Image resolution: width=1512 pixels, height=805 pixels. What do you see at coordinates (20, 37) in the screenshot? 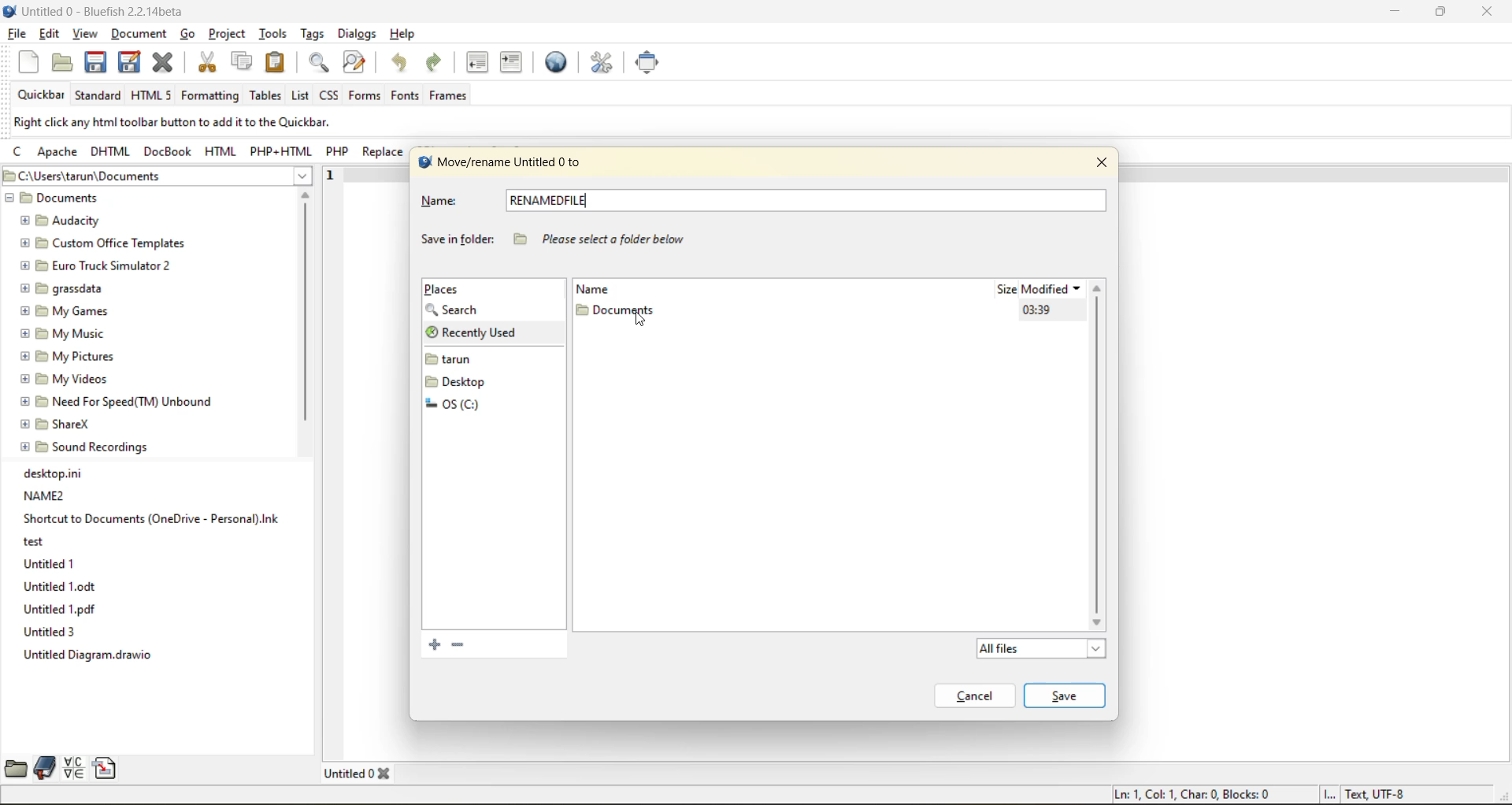
I see `file` at bounding box center [20, 37].